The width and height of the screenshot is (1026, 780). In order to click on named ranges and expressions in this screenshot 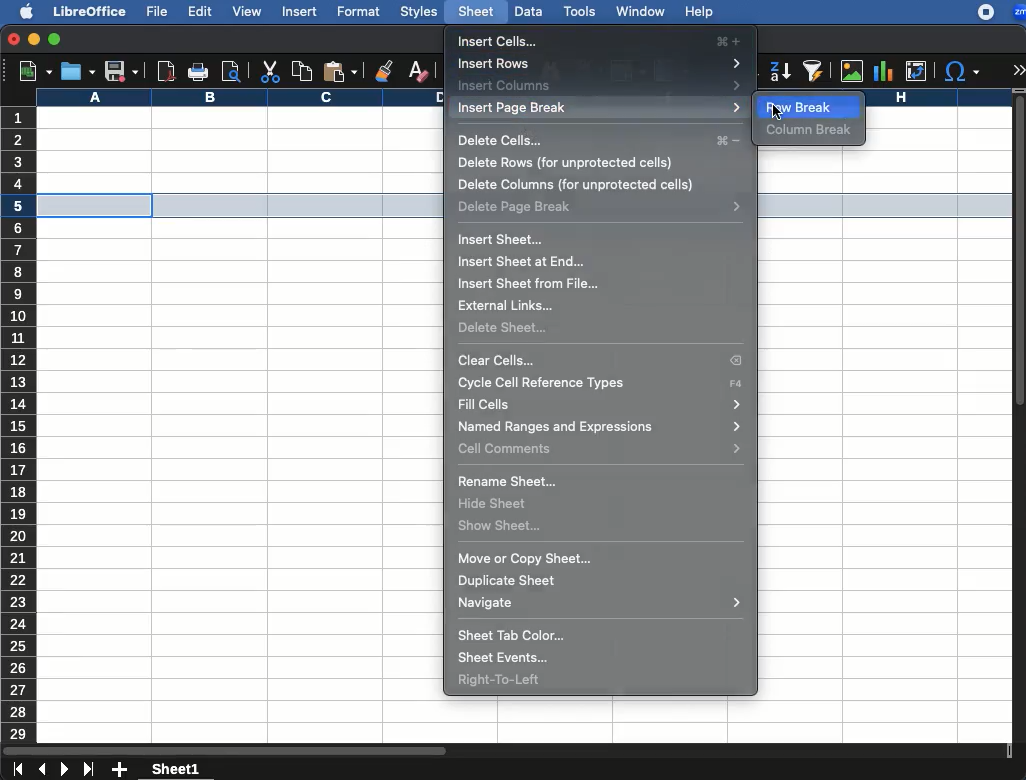, I will do `click(599, 427)`.